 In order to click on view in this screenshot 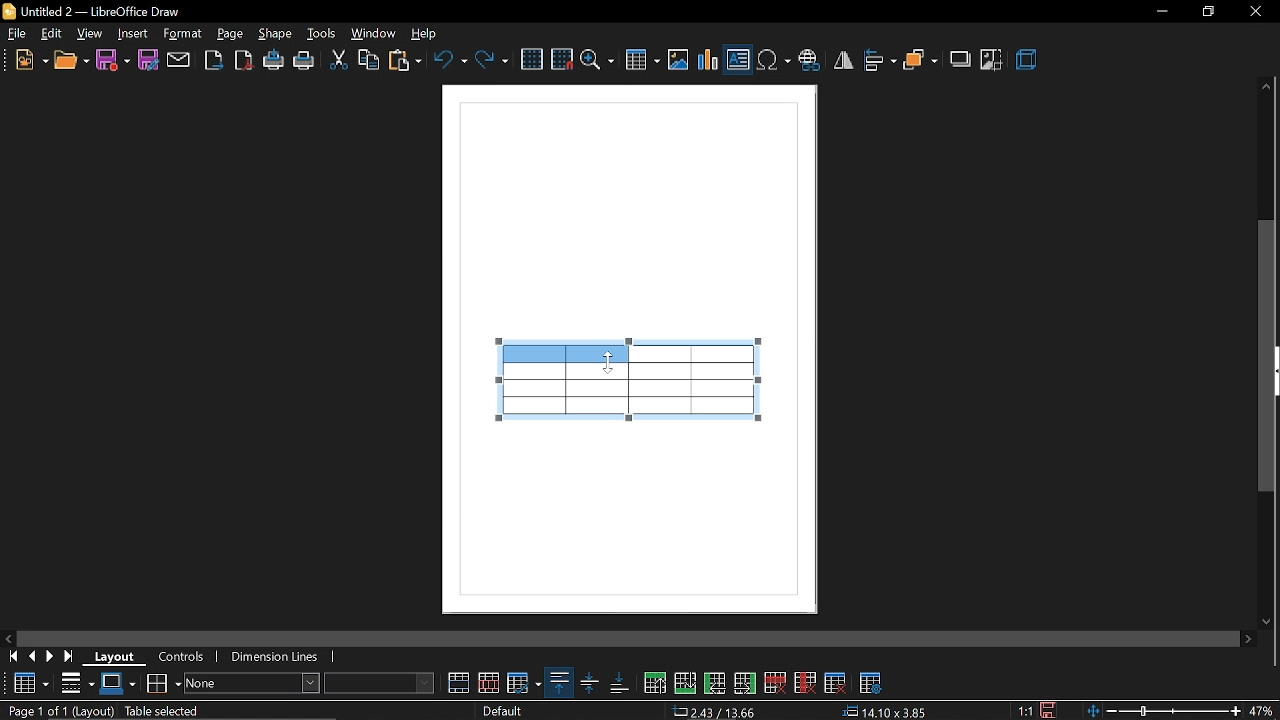, I will do `click(89, 33)`.